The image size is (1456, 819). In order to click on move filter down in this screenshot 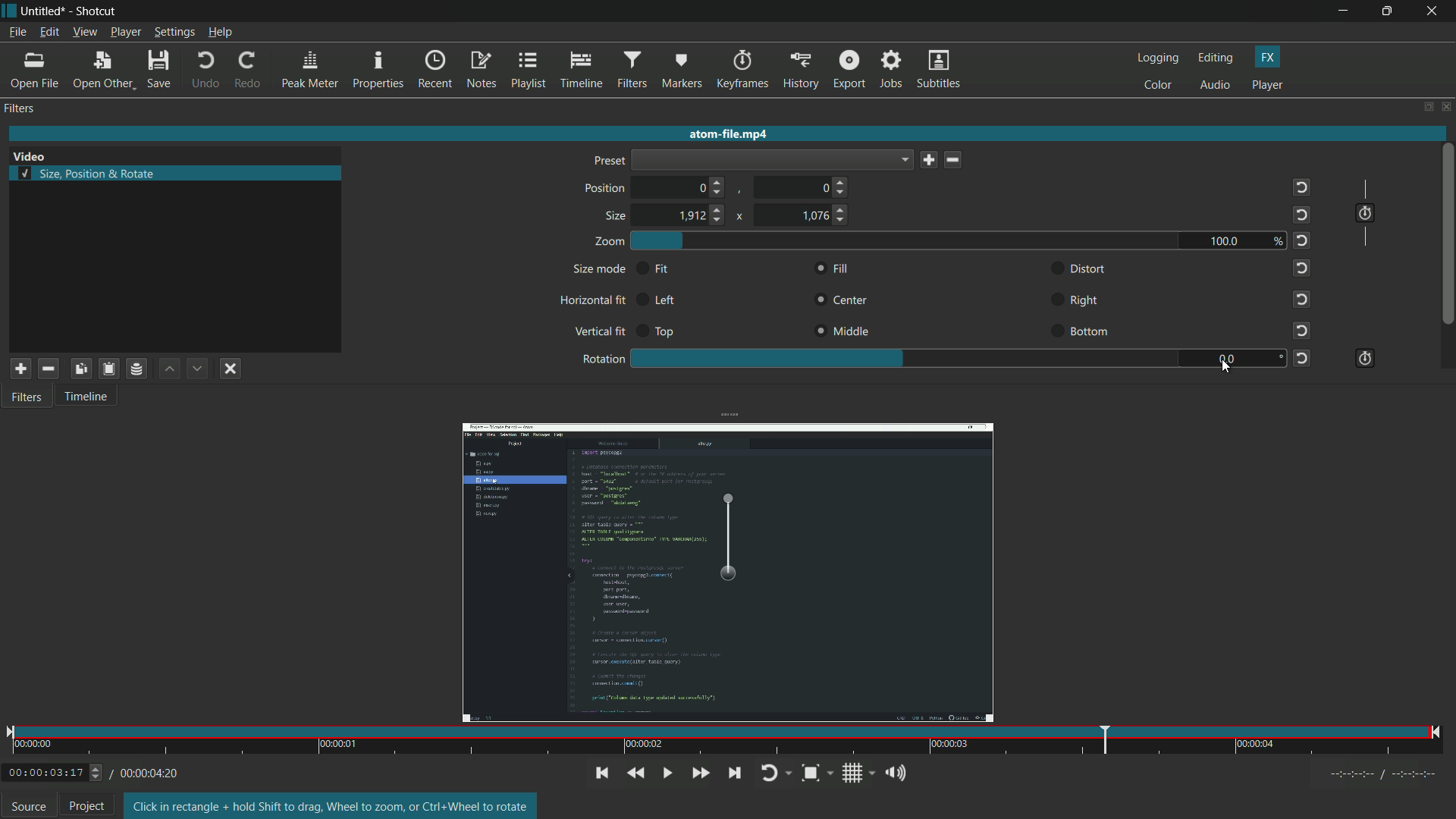, I will do `click(198, 369)`.